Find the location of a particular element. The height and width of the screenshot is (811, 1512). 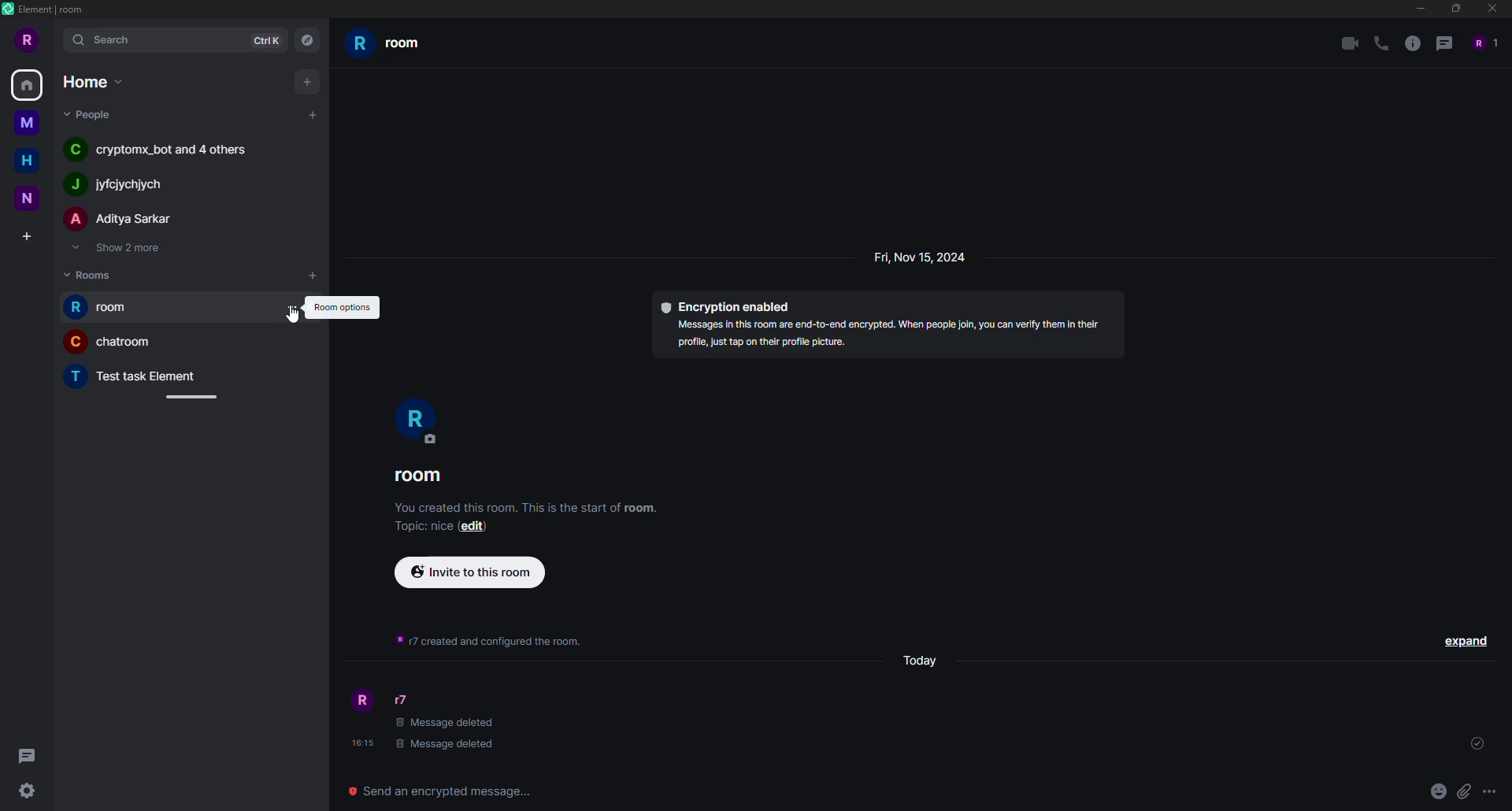

h is located at coordinates (27, 161).